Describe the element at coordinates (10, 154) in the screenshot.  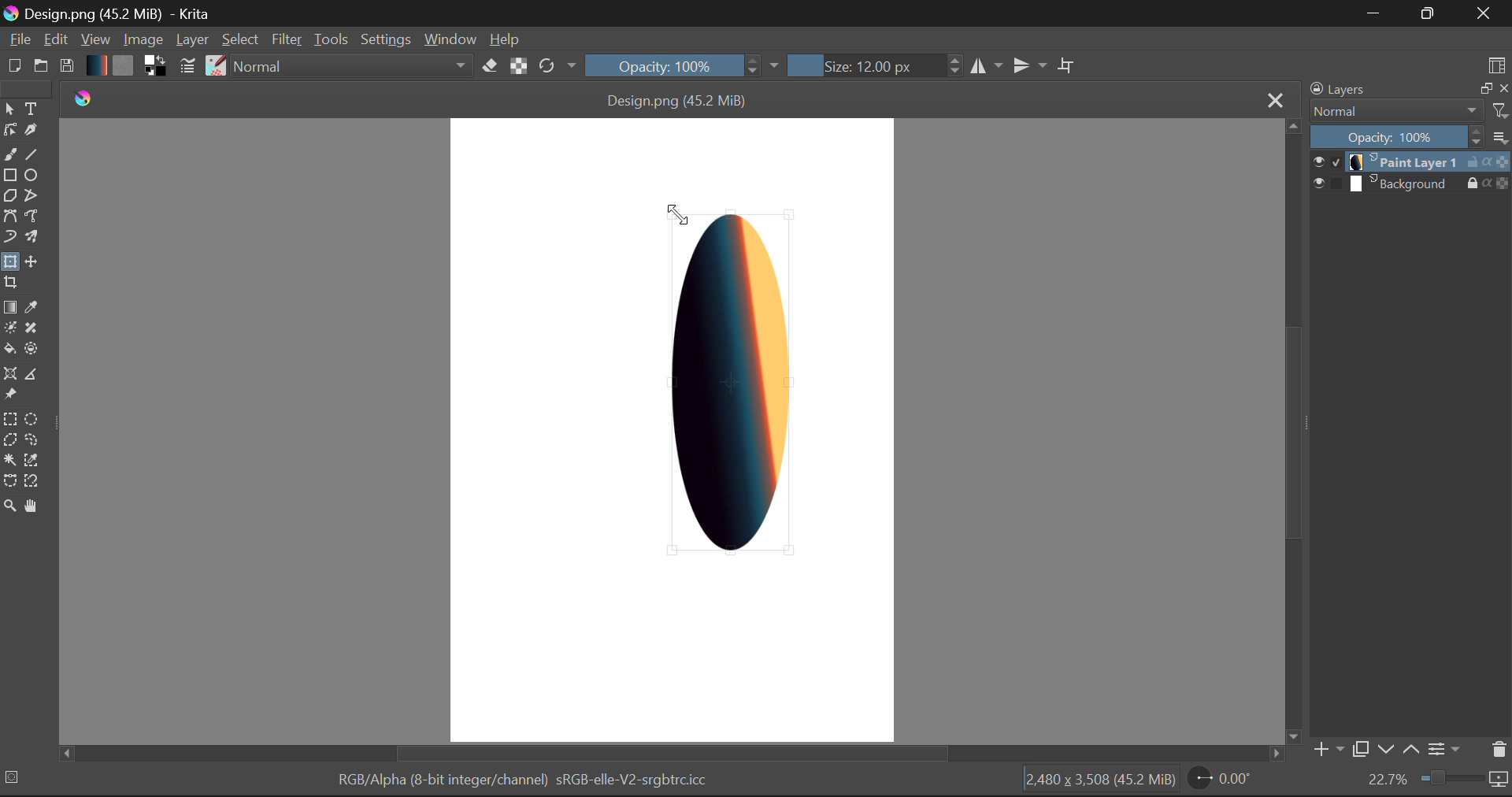
I see `Freehand` at that location.